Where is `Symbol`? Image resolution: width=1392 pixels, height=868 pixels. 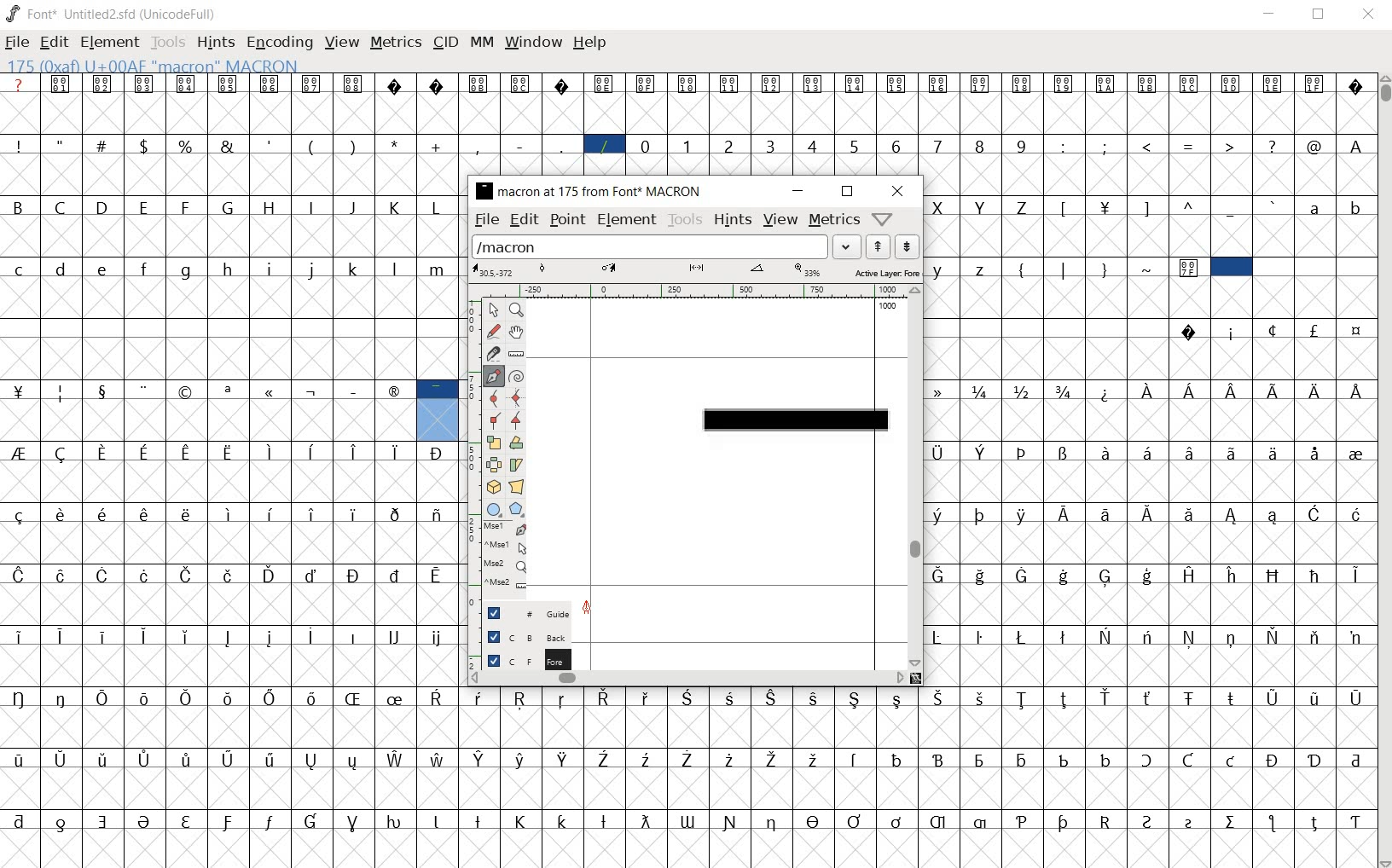
Symbol is located at coordinates (64, 574).